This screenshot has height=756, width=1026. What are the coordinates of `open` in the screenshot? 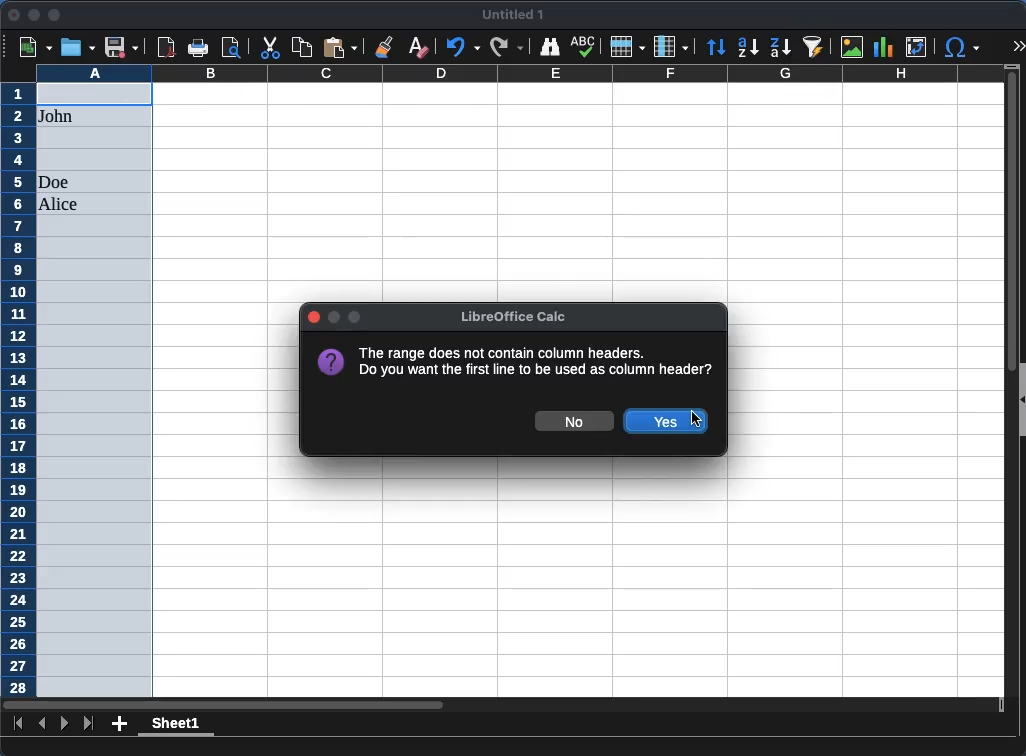 It's located at (78, 47).